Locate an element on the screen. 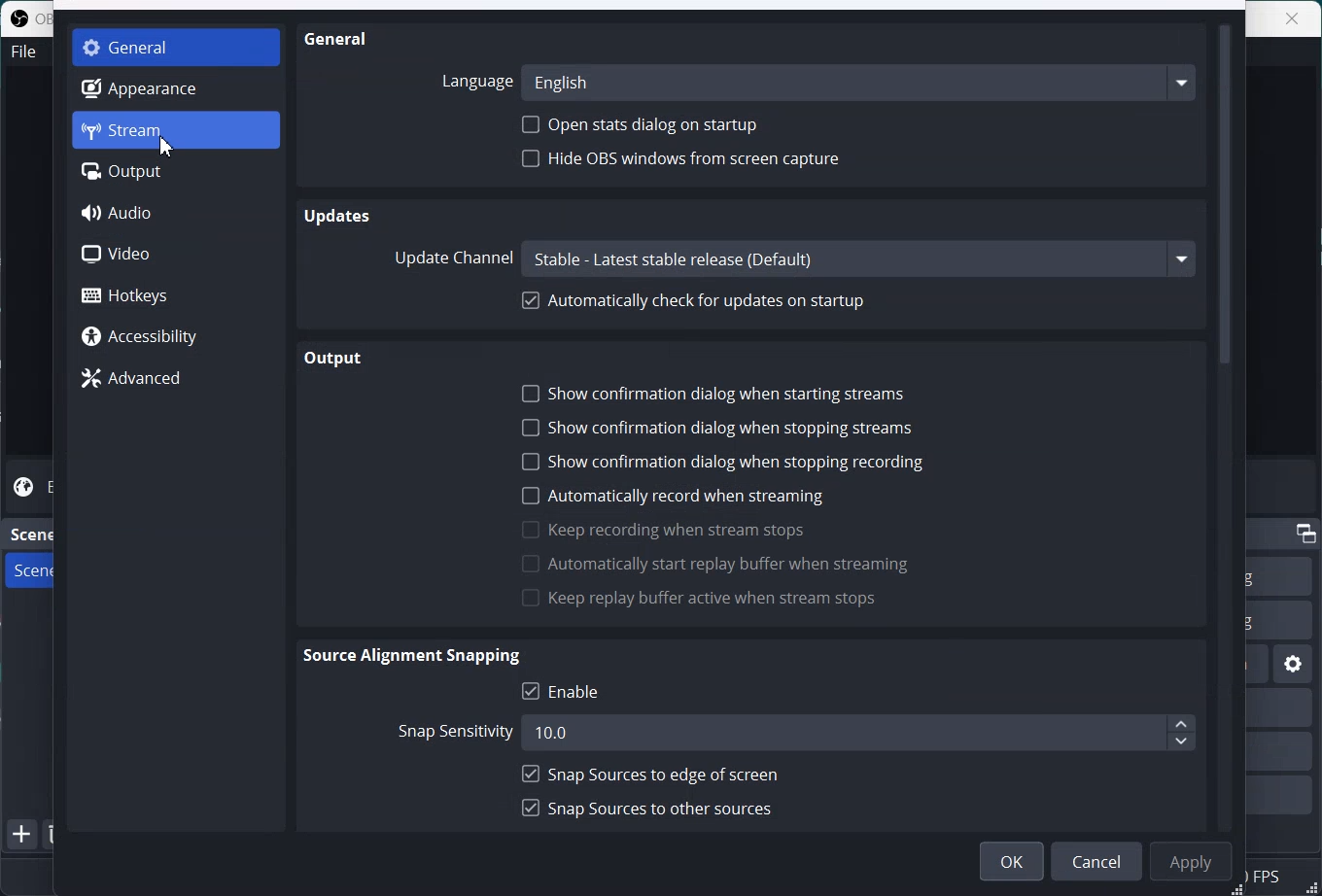  Keep replay buffer when stream stops is located at coordinates (698, 600).